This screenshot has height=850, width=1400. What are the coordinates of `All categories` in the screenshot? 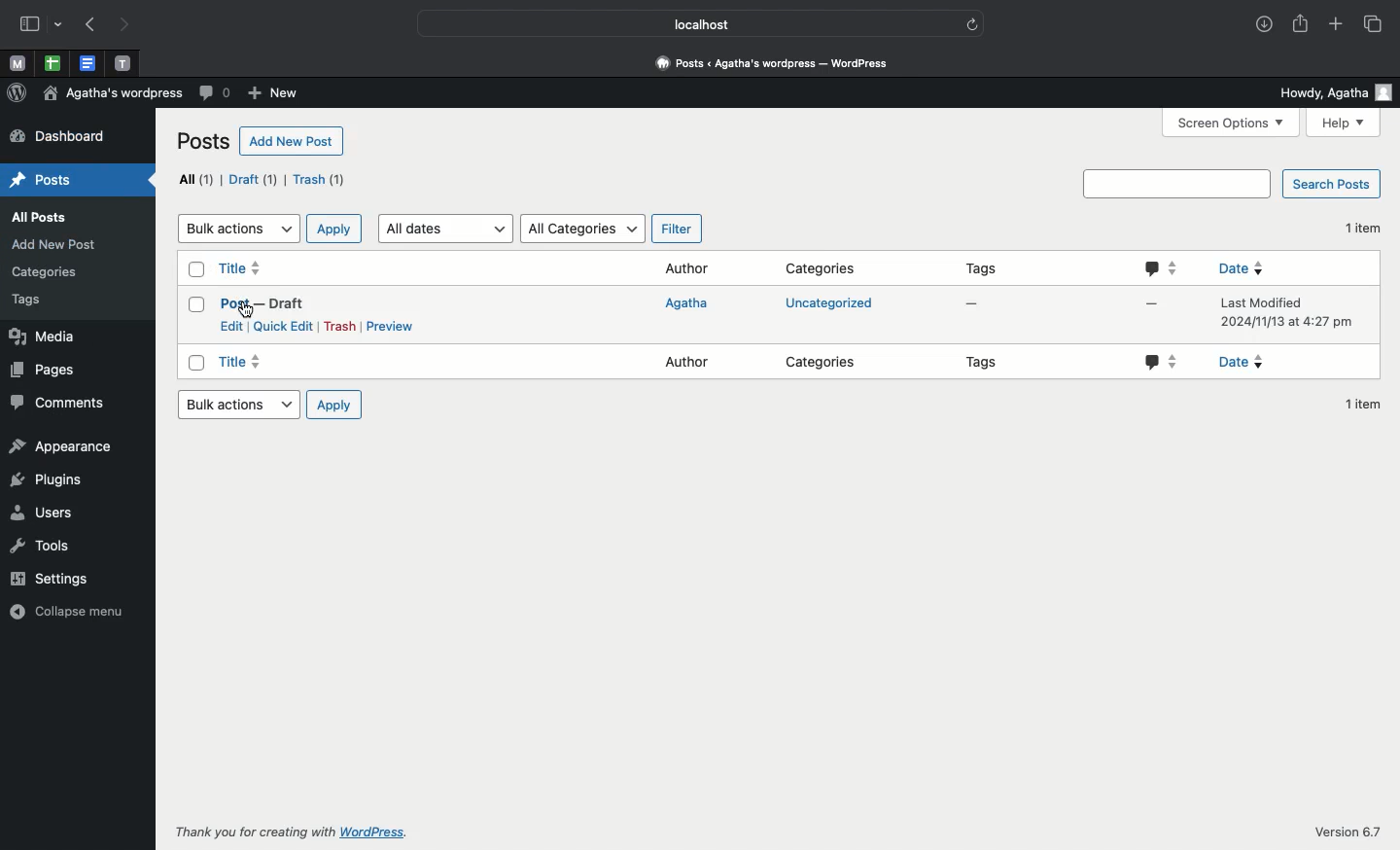 It's located at (583, 230).